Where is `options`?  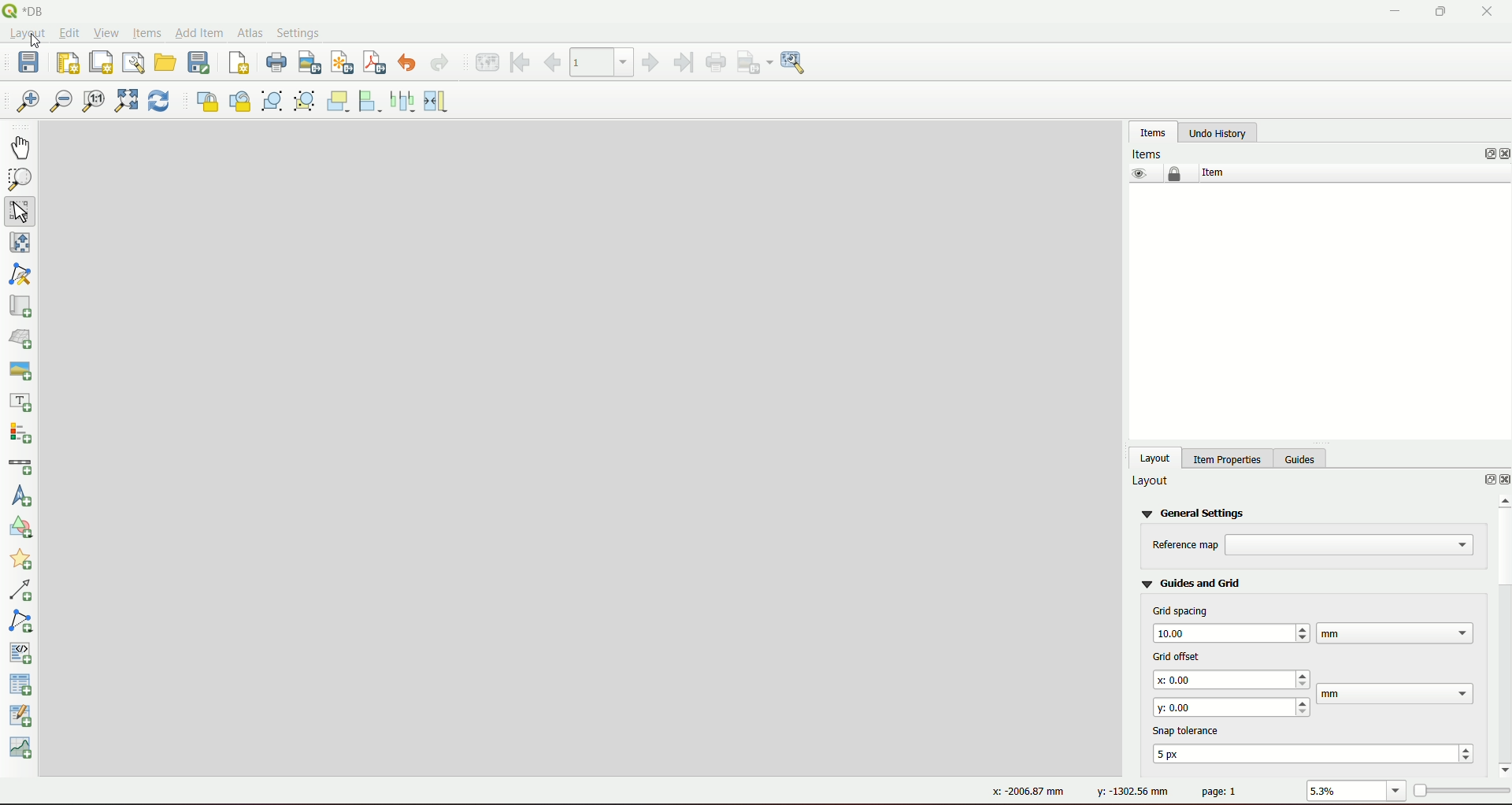 options is located at coordinates (1482, 481).